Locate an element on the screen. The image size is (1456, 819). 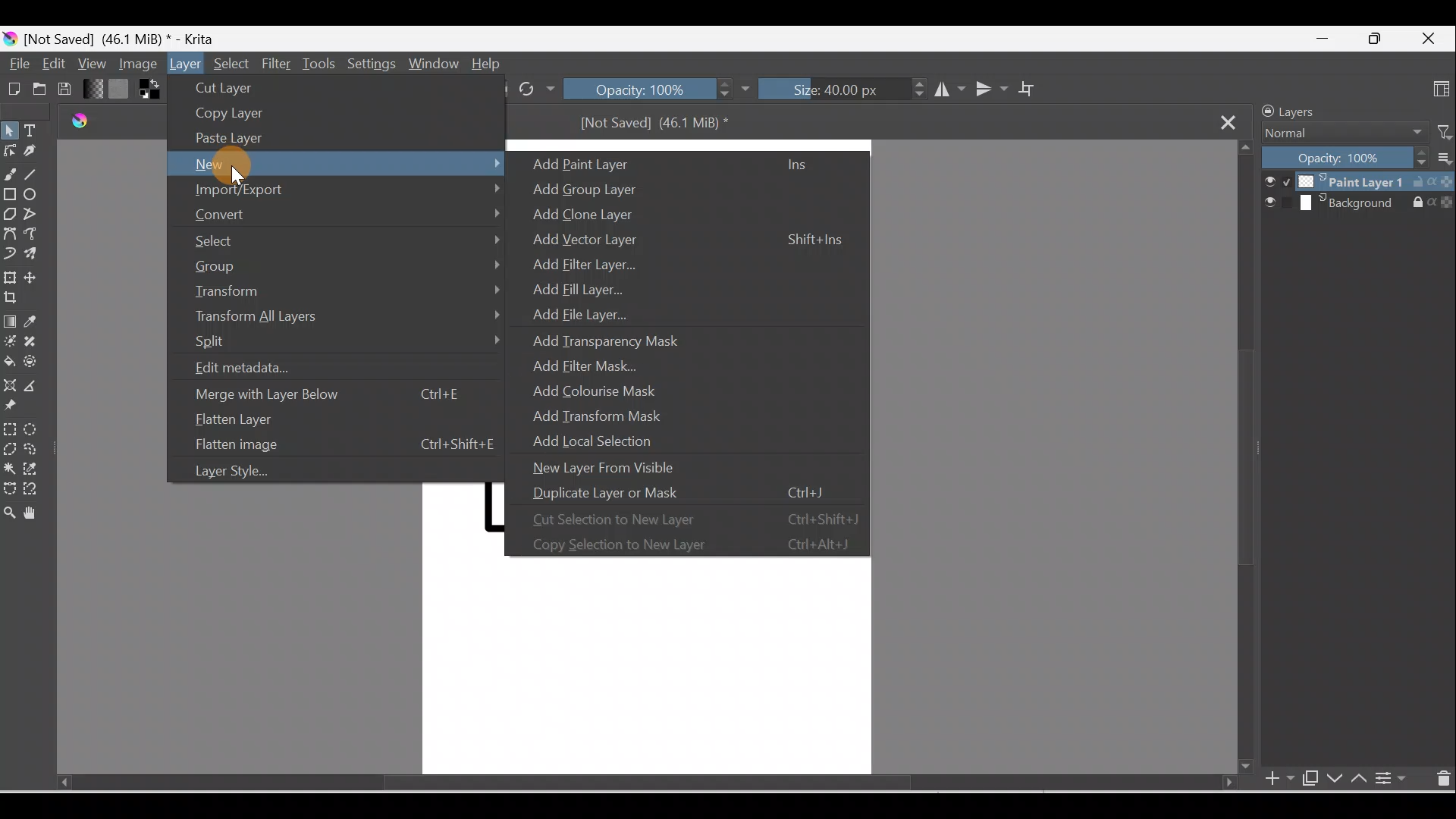
Filter is located at coordinates (1439, 131).